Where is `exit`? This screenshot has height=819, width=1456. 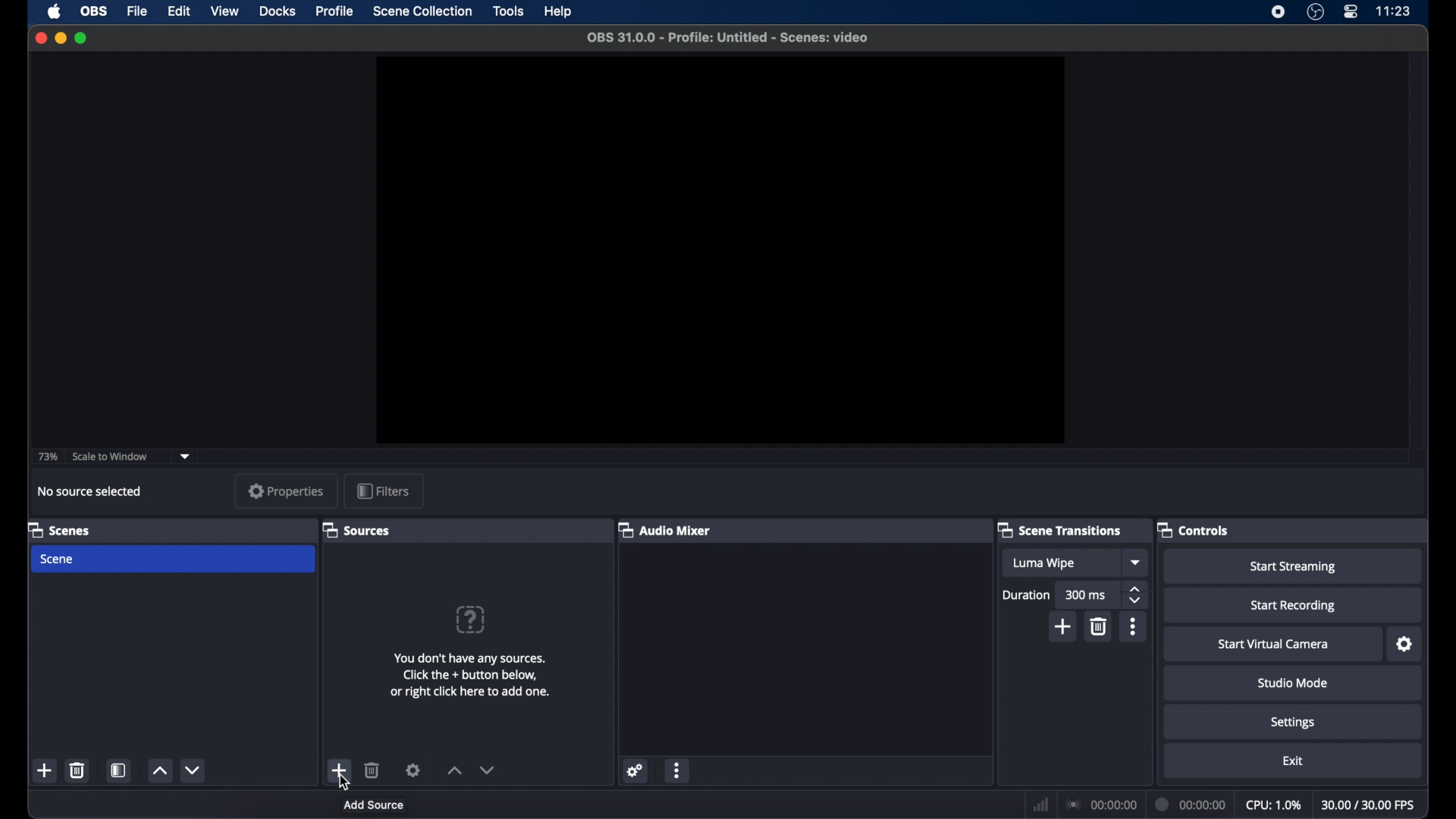 exit is located at coordinates (1294, 761).